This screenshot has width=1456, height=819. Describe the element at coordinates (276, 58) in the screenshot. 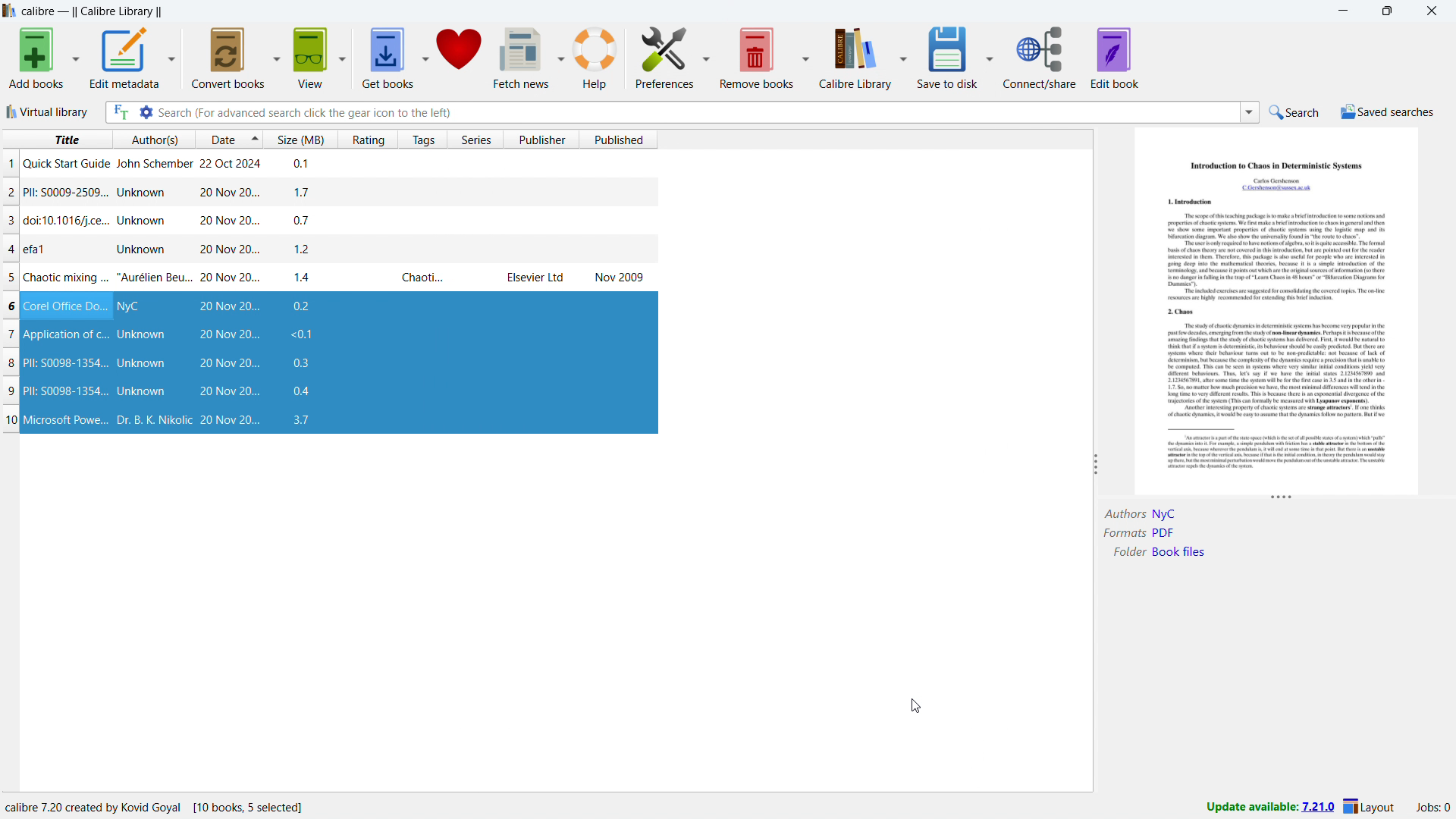

I see `convert books options` at that location.